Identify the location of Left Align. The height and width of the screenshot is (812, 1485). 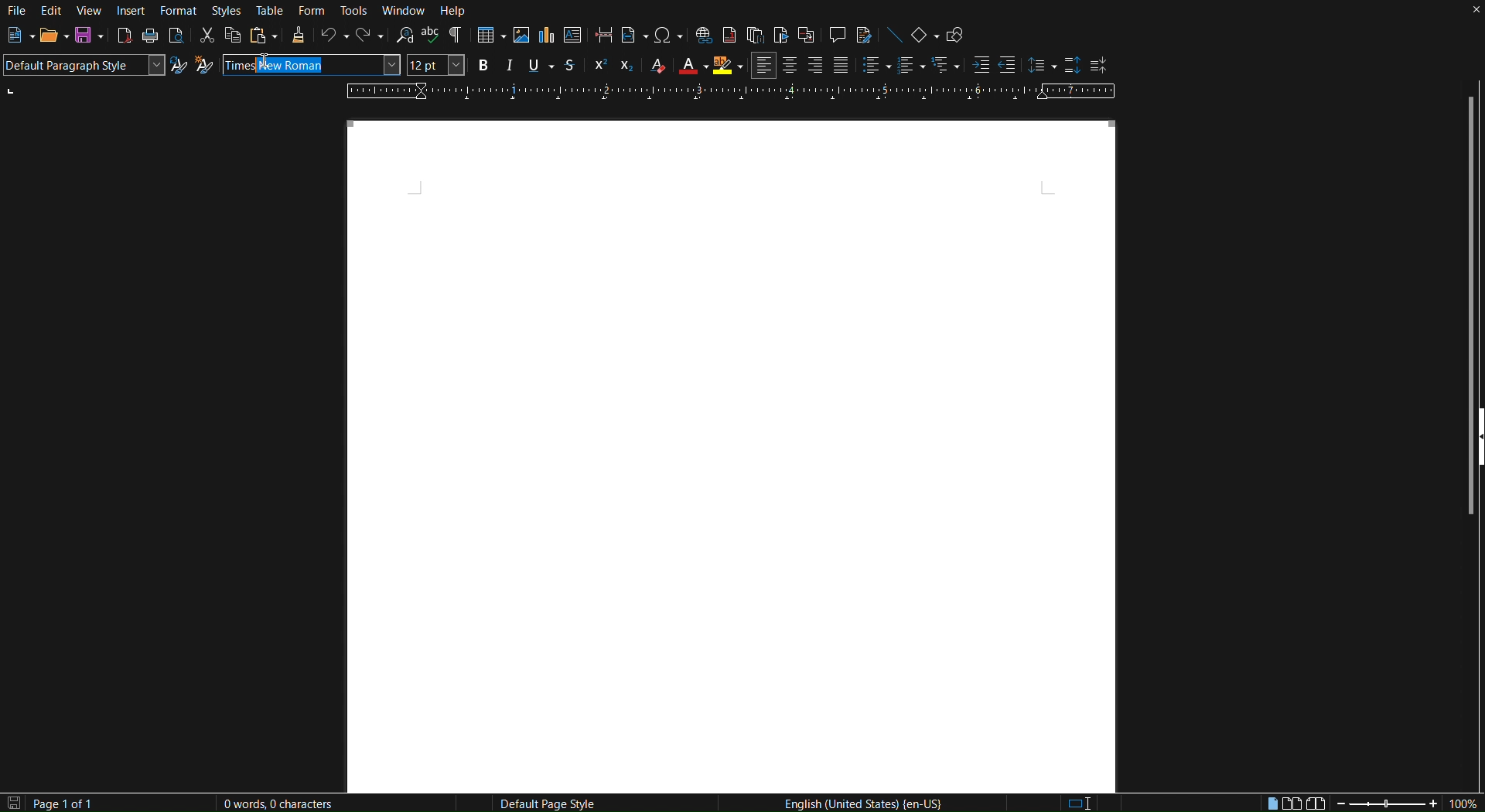
(764, 66).